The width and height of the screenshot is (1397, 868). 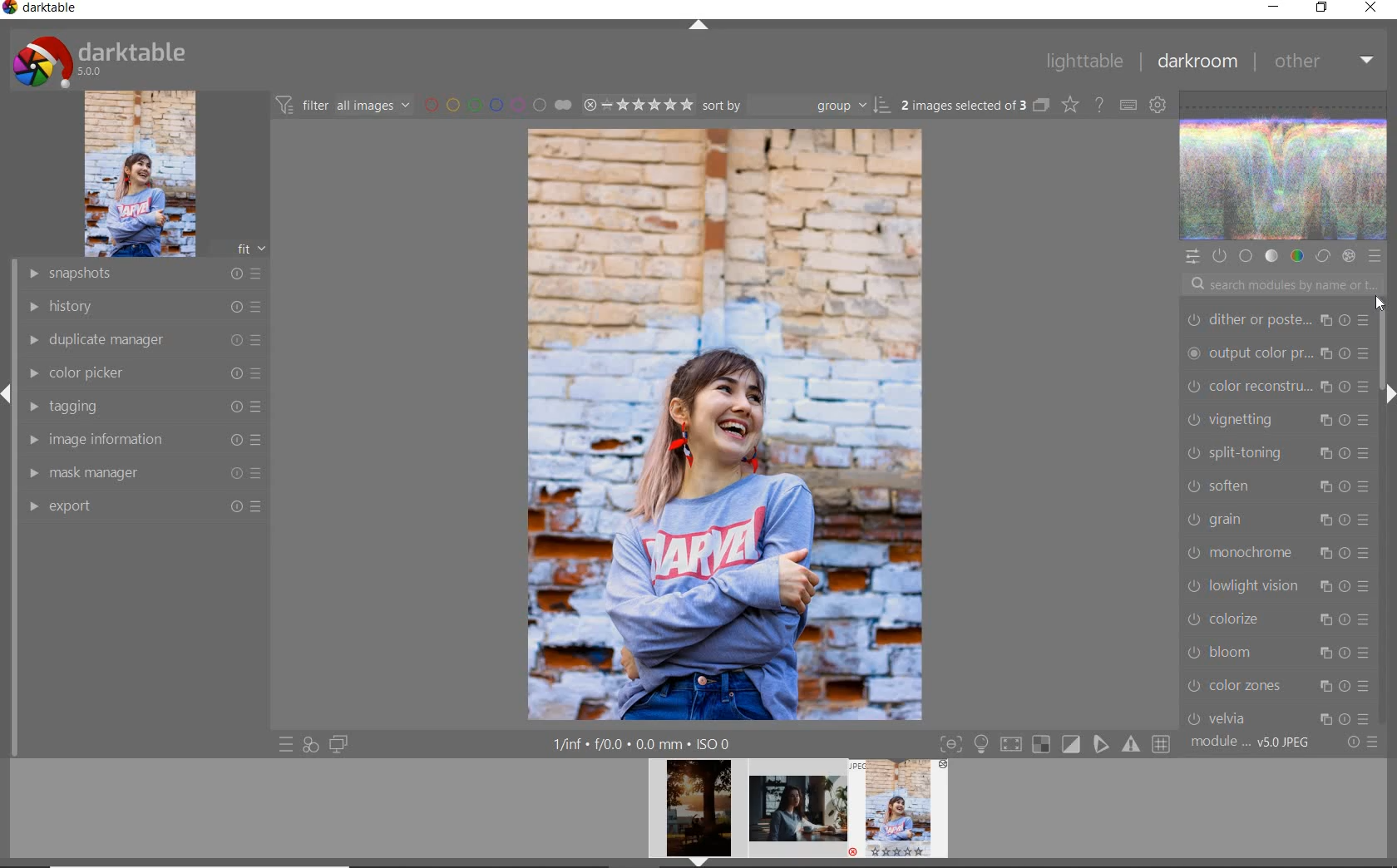 What do you see at coordinates (1272, 257) in the screenshot?
I see `tone` at bounding box center [1272, 257].